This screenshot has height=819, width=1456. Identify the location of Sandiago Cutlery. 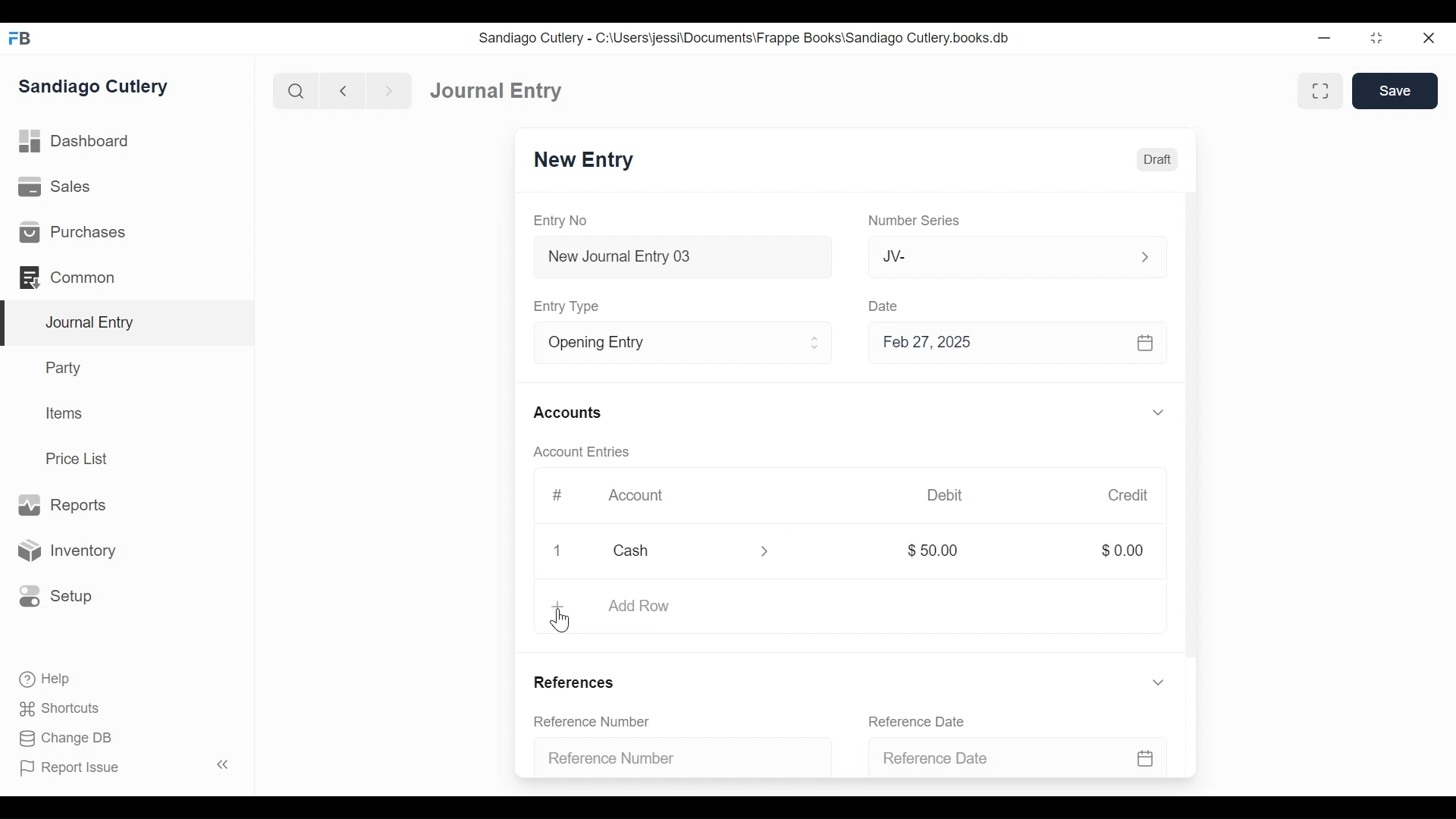
(96, 88).